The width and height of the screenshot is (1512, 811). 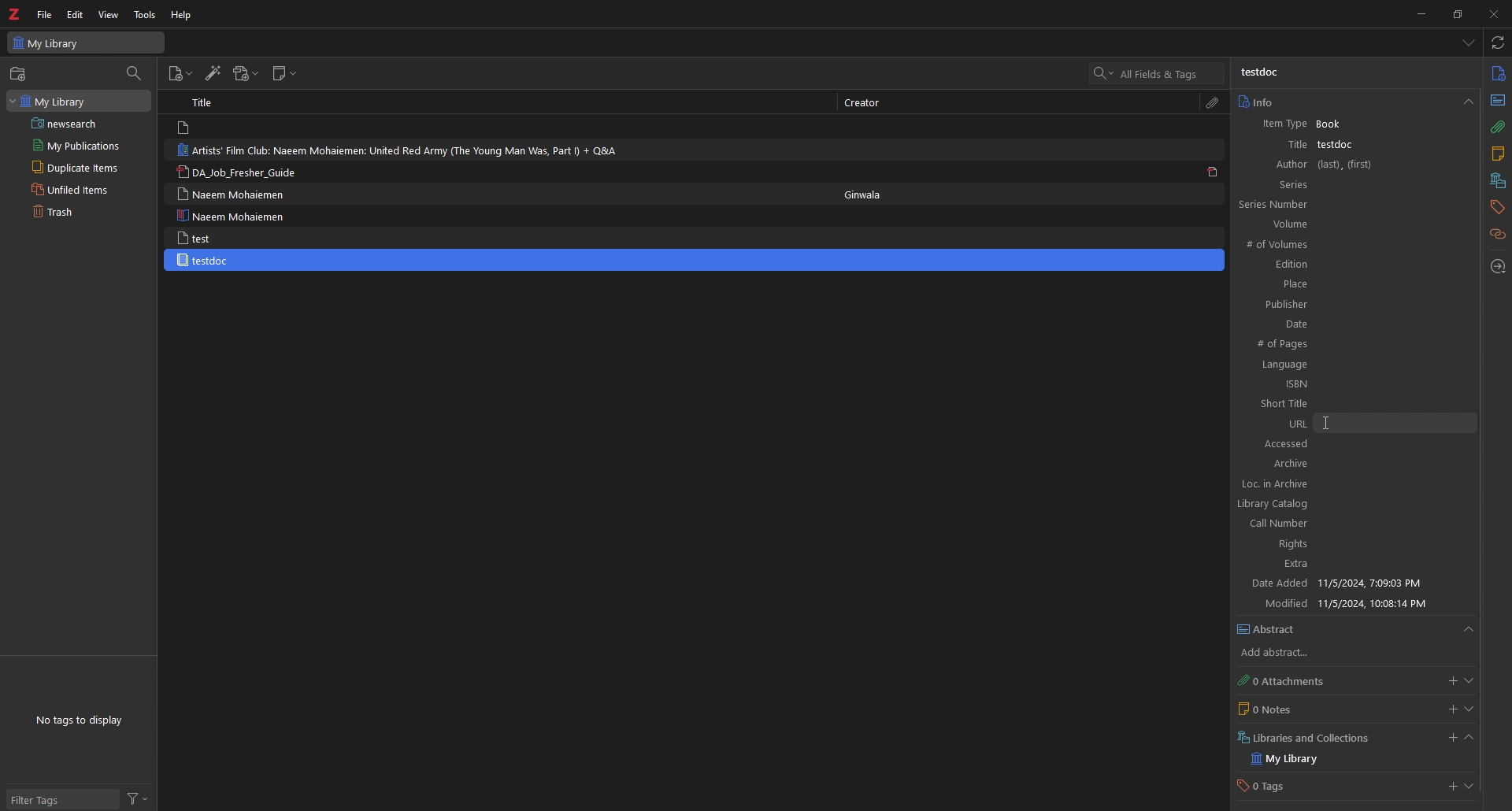 I want to click on minimize, so click(x=1420, y=13).